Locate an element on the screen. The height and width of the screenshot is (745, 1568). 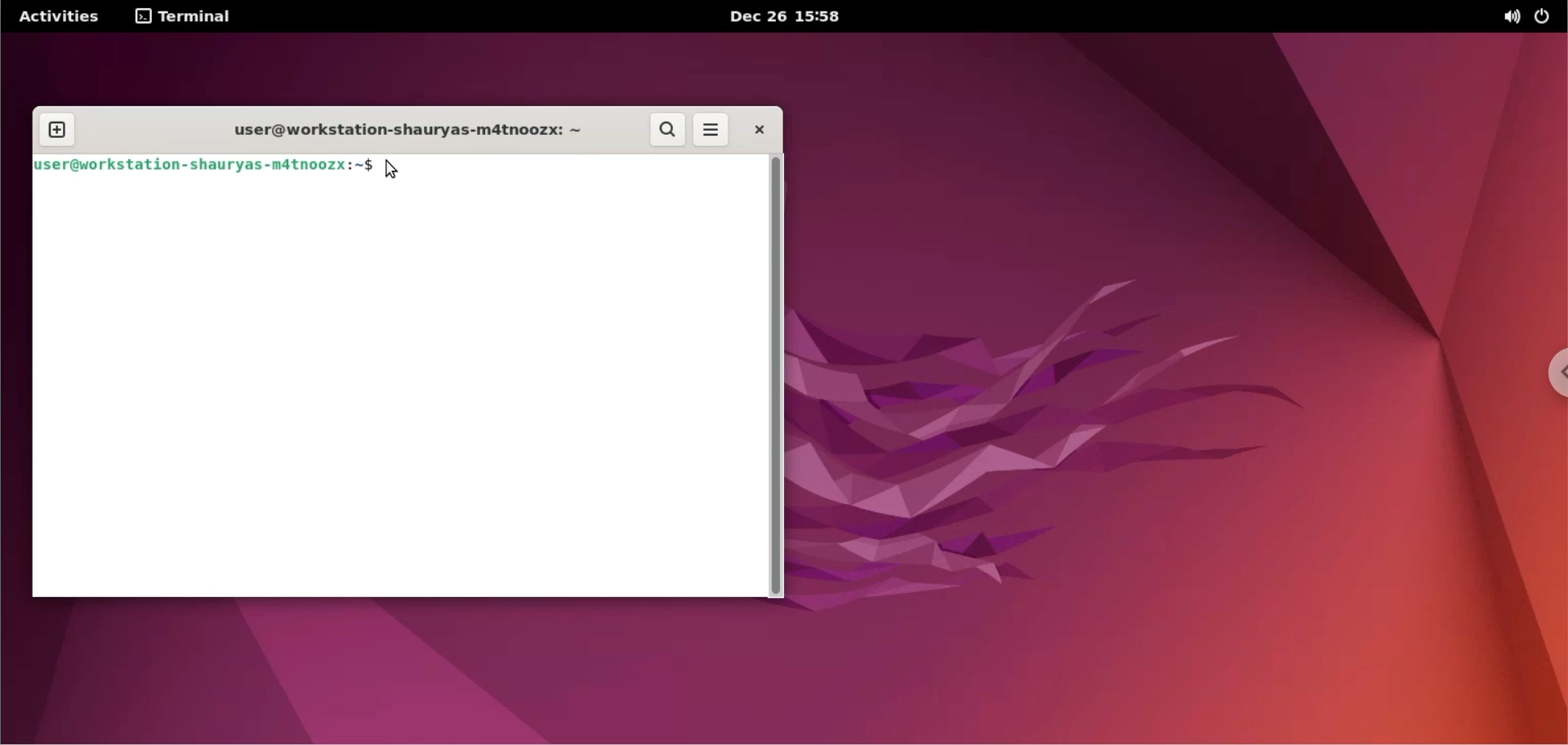
Dec 26 15:58  is located at coordinates (785, 16).